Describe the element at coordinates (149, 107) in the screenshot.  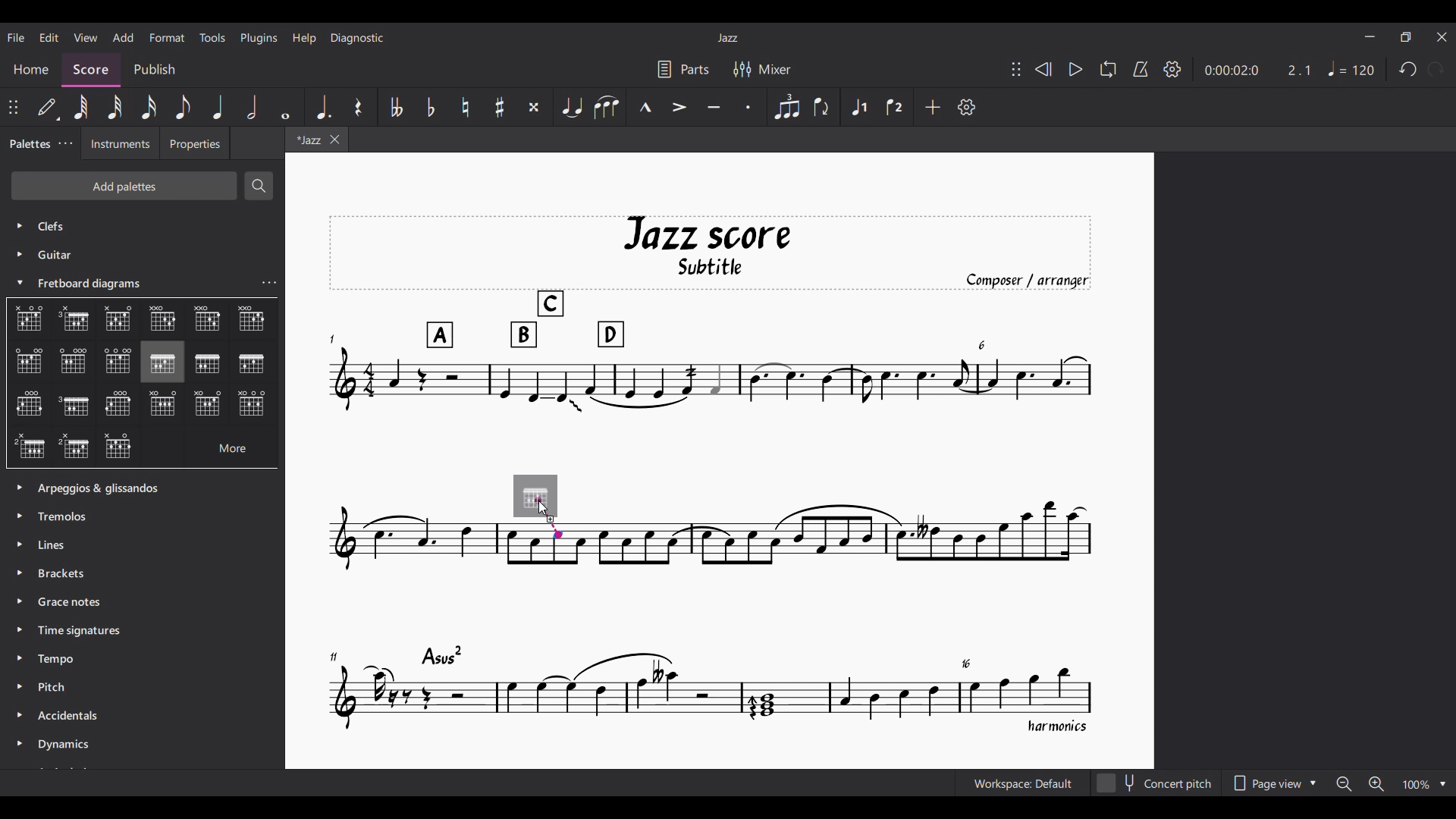
I see `16th note` at that location.